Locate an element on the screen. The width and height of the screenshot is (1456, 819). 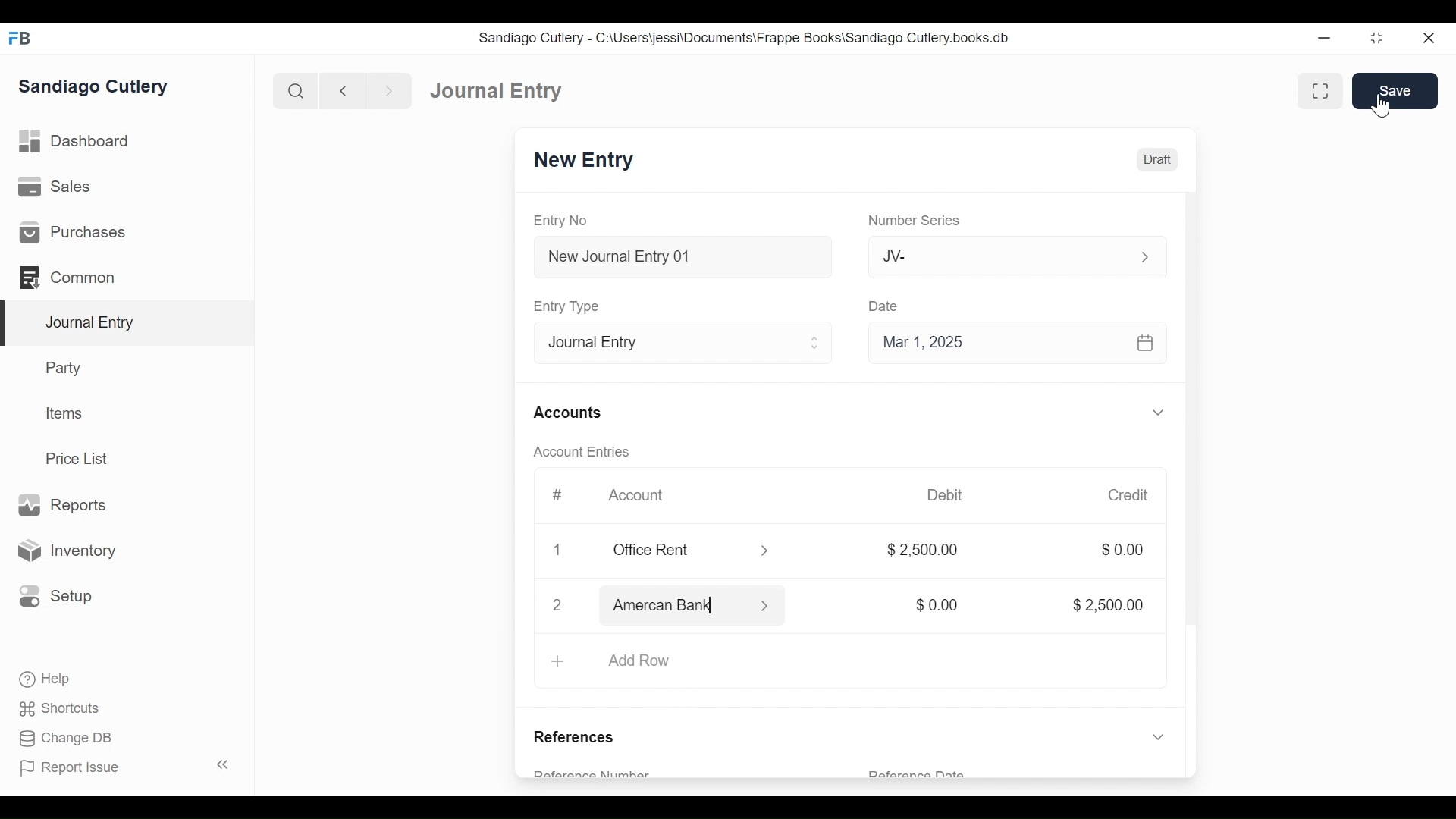
search  is located at coordinates (293, 88).